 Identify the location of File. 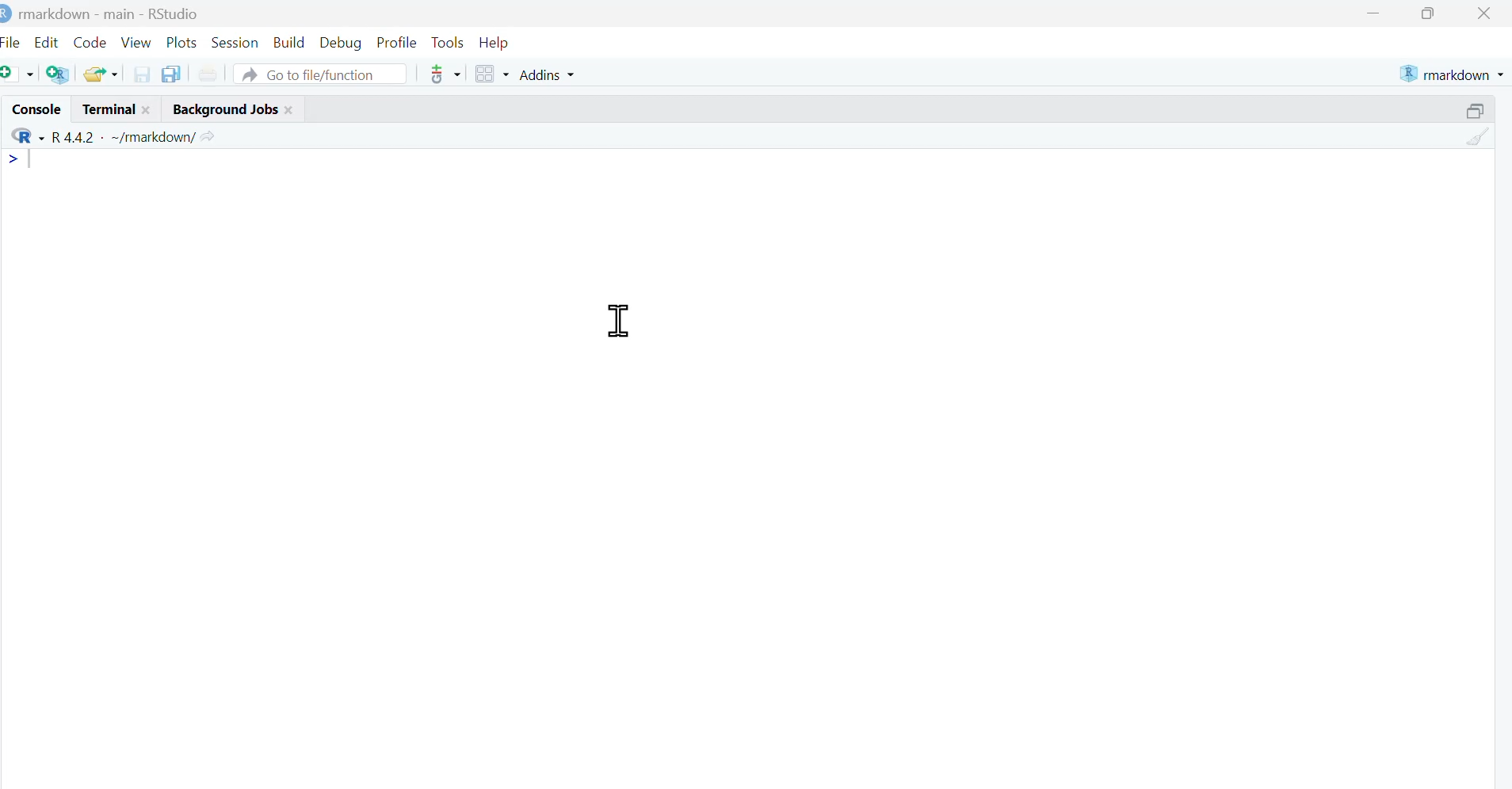
(13, 40).